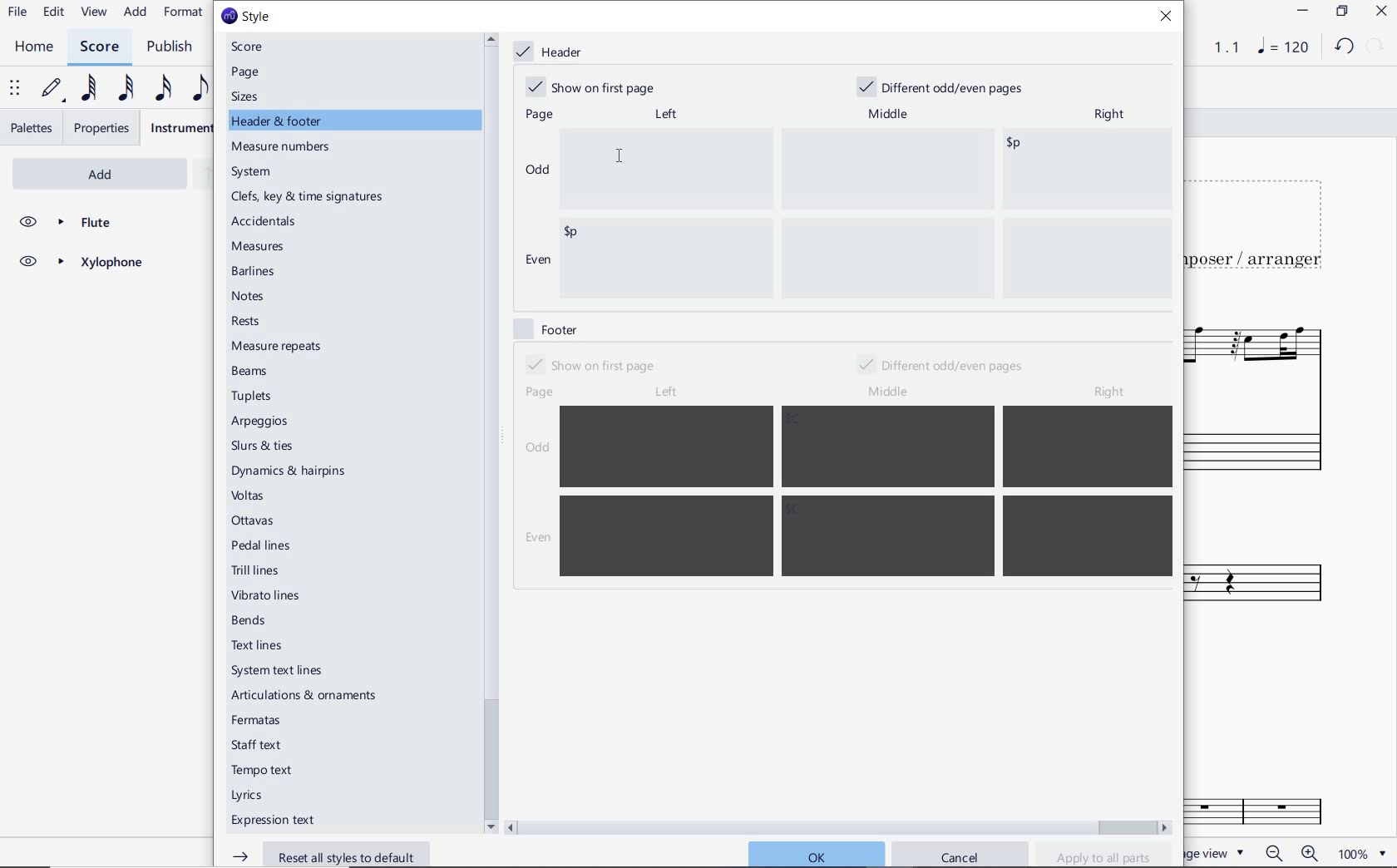 The width and height of the screenshot is (1397, 868). I want to click on page, so click(536, 116).